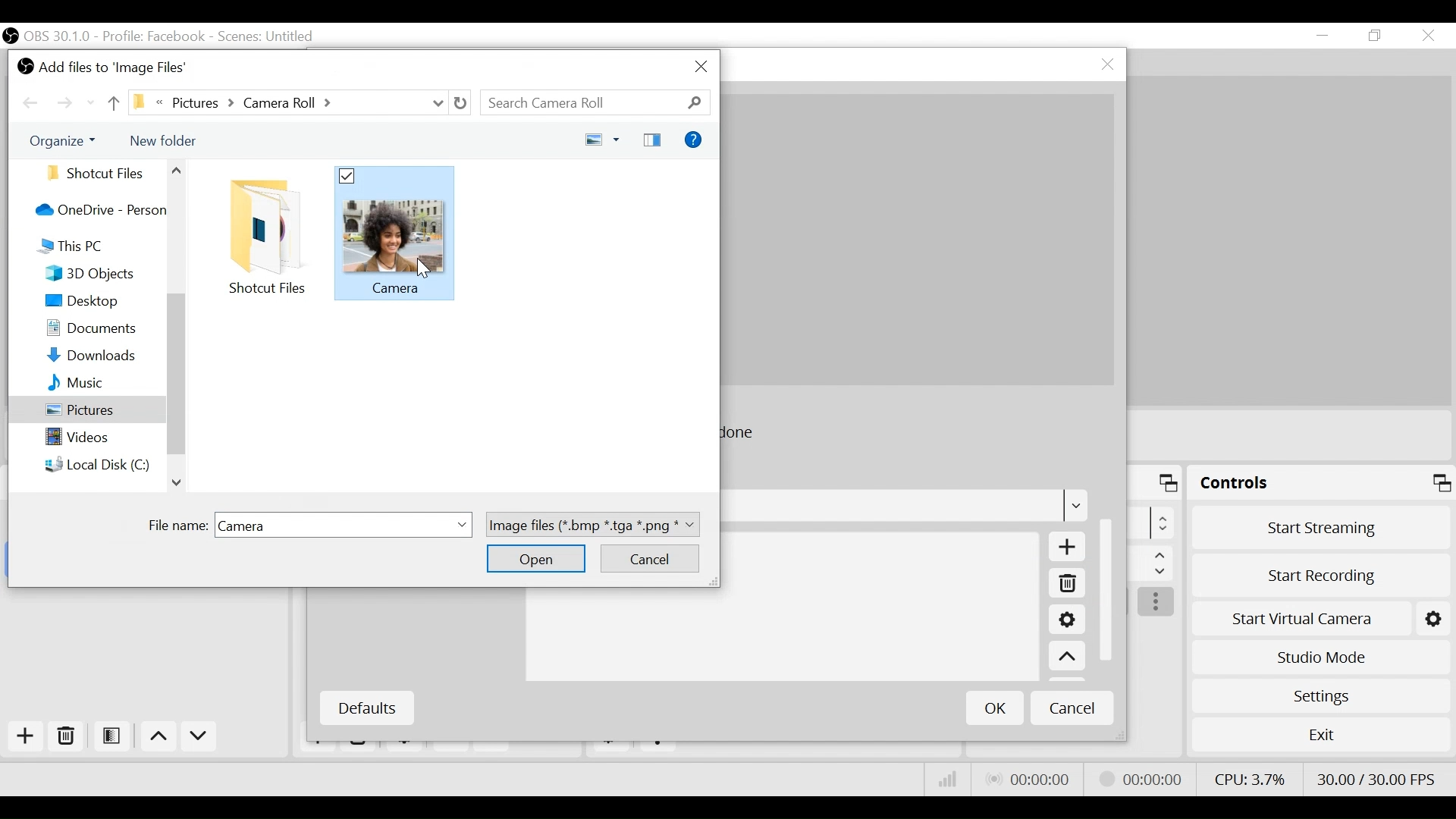 The height and width of the screenshot is (819, 1456). What do you see at coordinates (178, 483) in the screenshot?
I see `Scroll up` at bounding box center [178, 483].